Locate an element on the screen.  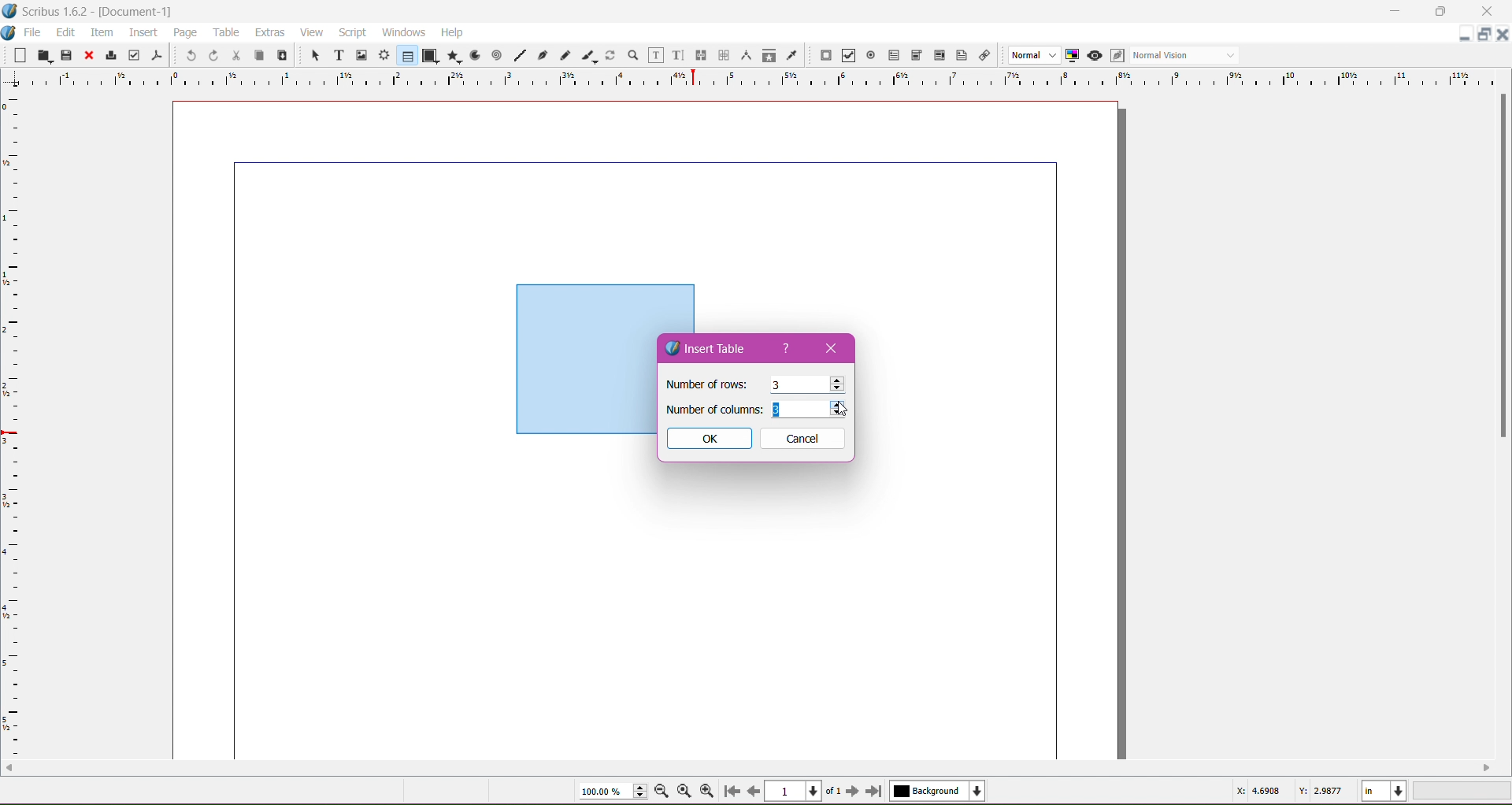
Paste is located at coordinates (280, 56).